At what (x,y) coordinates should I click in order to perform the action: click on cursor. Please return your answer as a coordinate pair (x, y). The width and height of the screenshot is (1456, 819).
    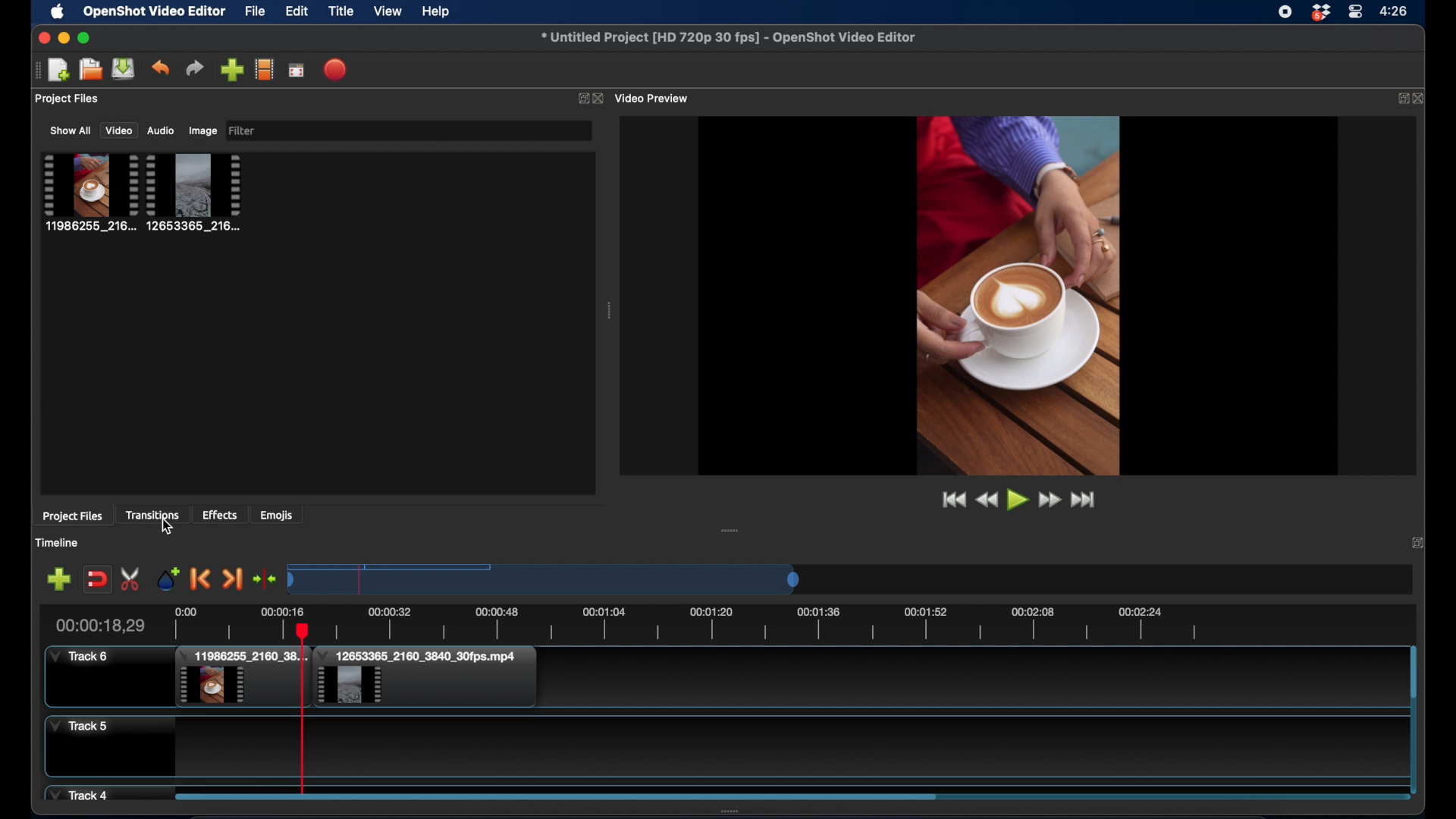
    Looking at the image, I should click on (166, 526).